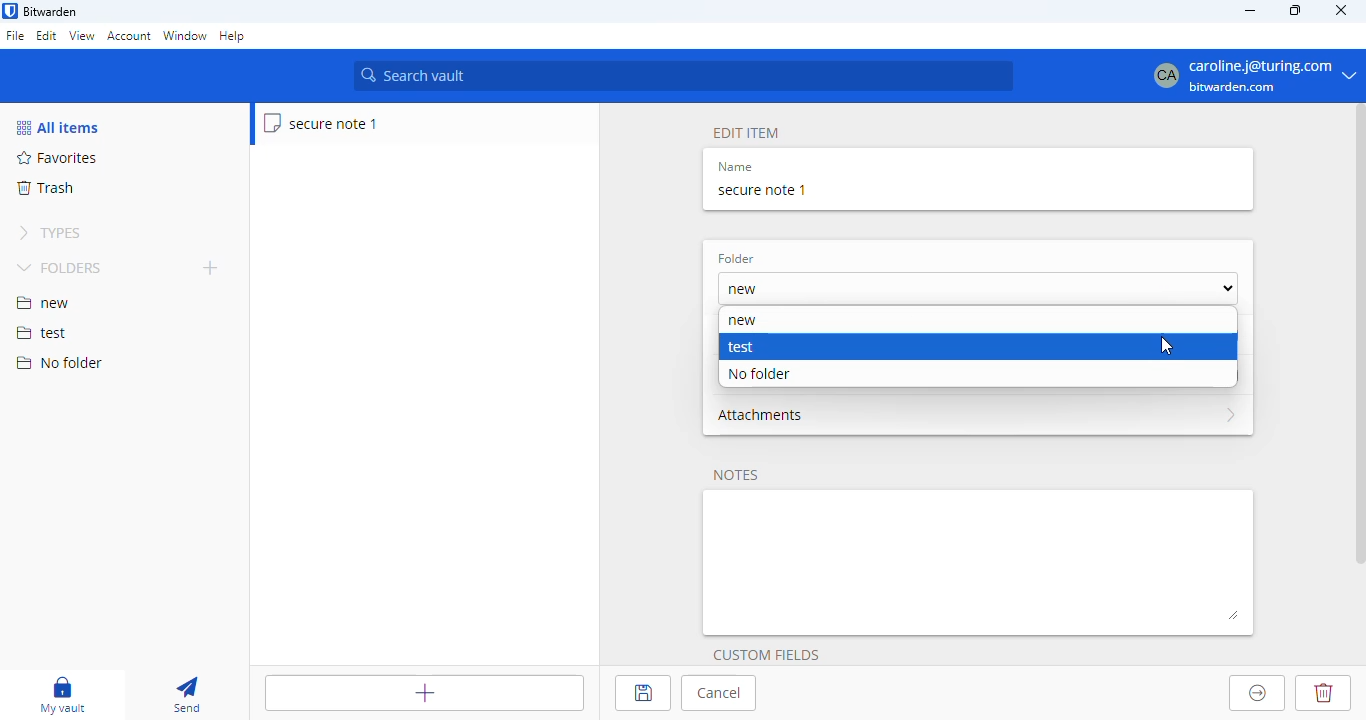  What do you see at coordinates (1249, 10) in the screenshot?
I see `minimize` at bounding box center [1249, 10].